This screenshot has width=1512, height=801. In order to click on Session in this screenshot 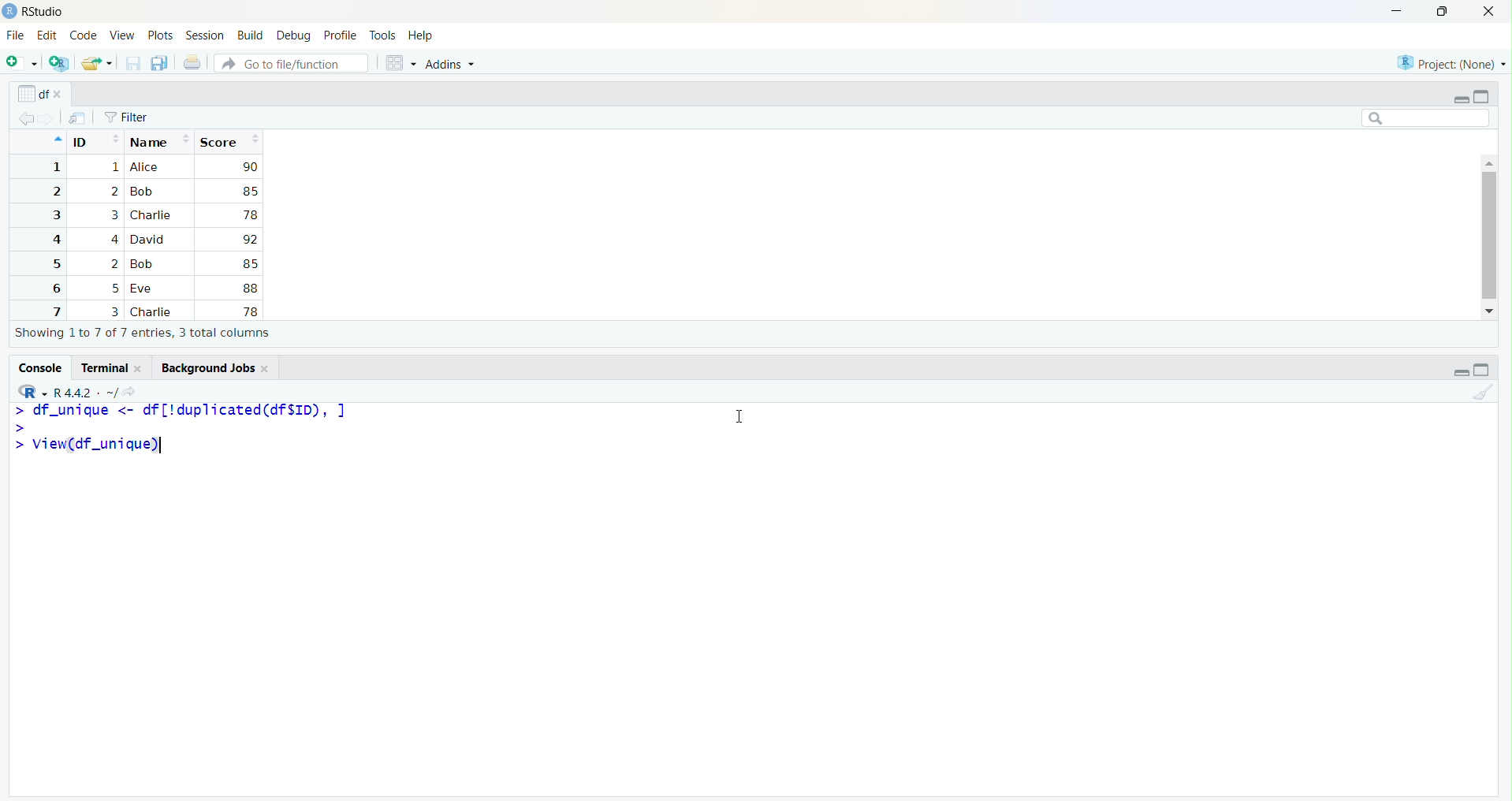, I will do `click(206, 35)`.